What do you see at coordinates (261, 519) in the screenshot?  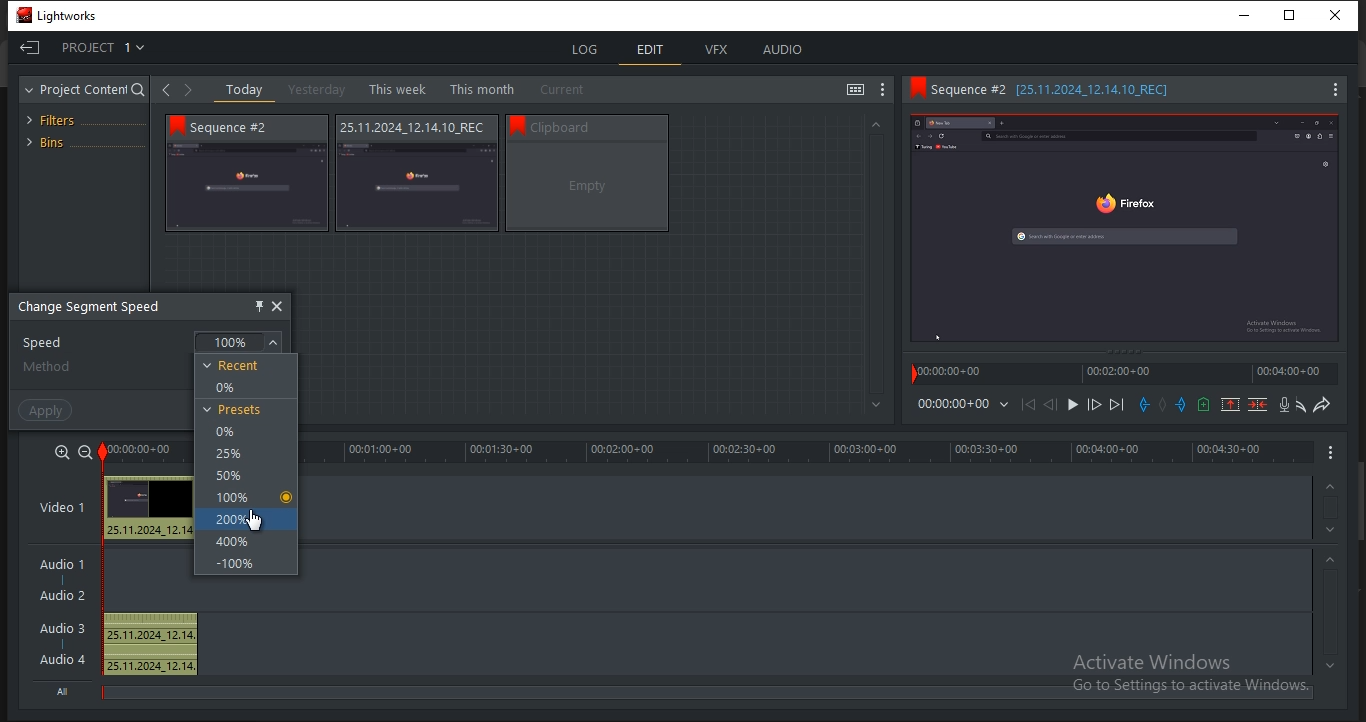 I see `pointer cursor` at bounding box center [261, 519].